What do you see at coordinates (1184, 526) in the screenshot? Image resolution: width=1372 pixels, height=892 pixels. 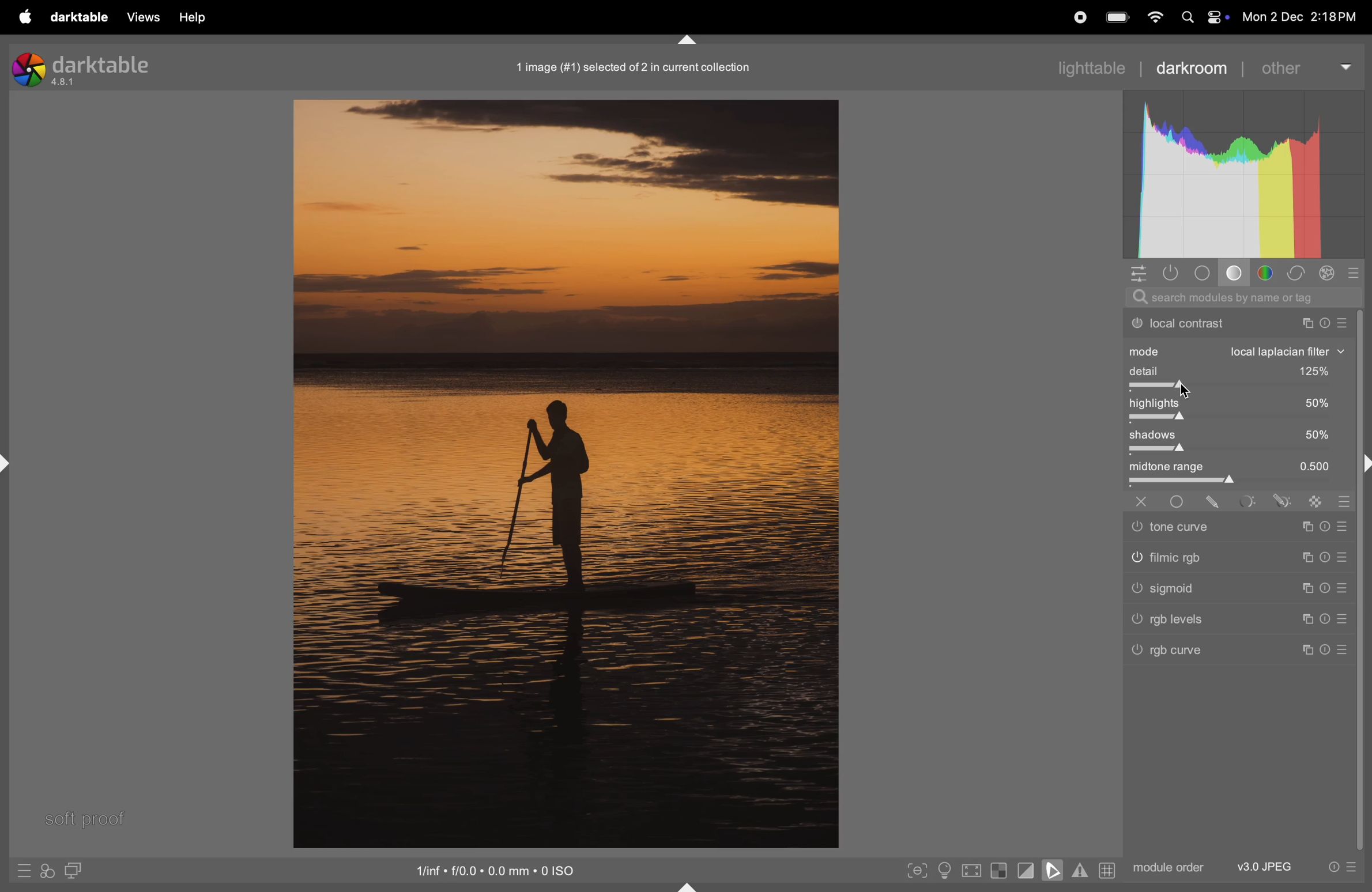 I see `` at bounding box center [1184, 526].